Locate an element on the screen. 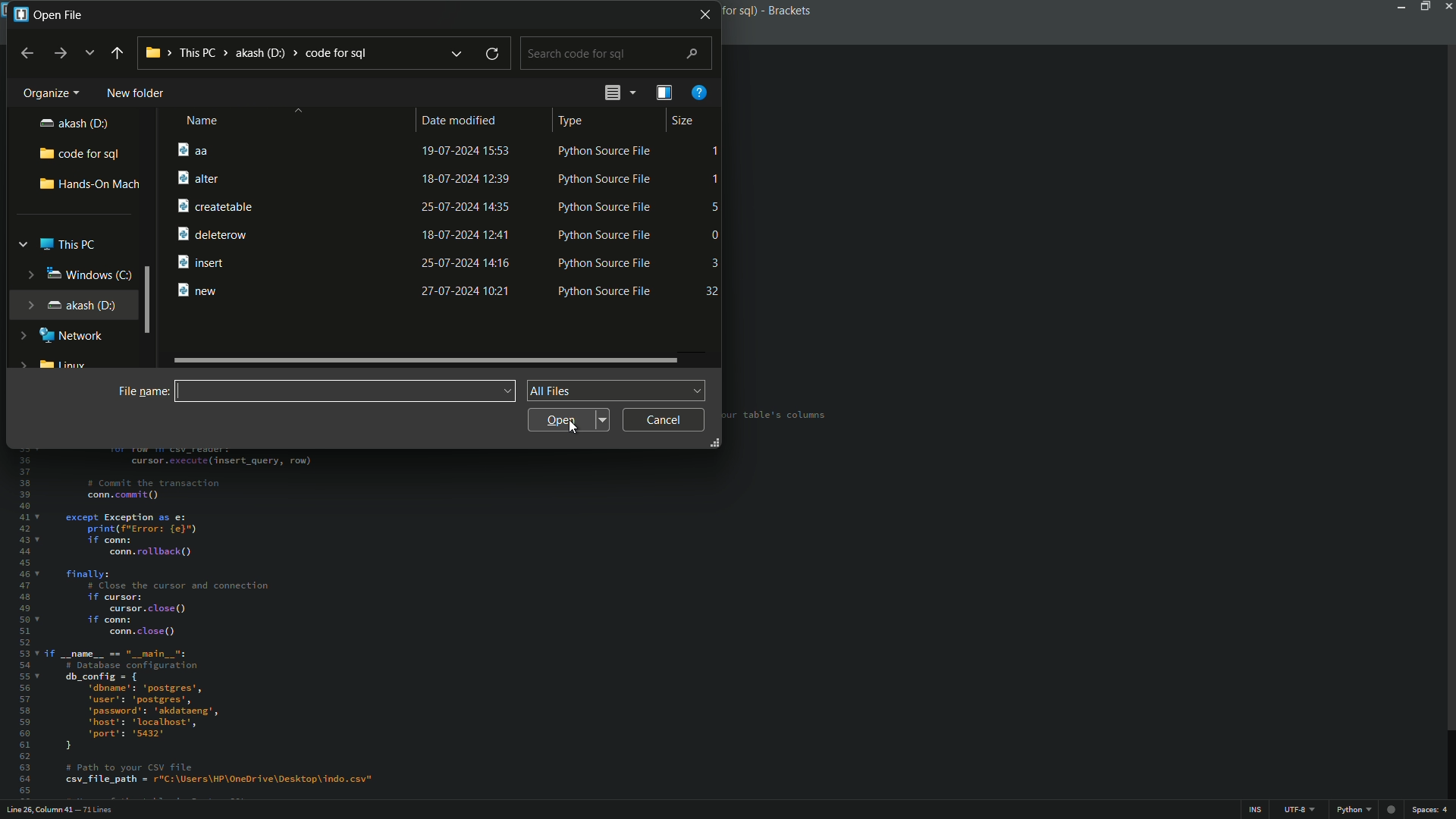 Image resolution: width=1456 pixels, height=819 pixels. refresh is located at coordinates (491, 55).